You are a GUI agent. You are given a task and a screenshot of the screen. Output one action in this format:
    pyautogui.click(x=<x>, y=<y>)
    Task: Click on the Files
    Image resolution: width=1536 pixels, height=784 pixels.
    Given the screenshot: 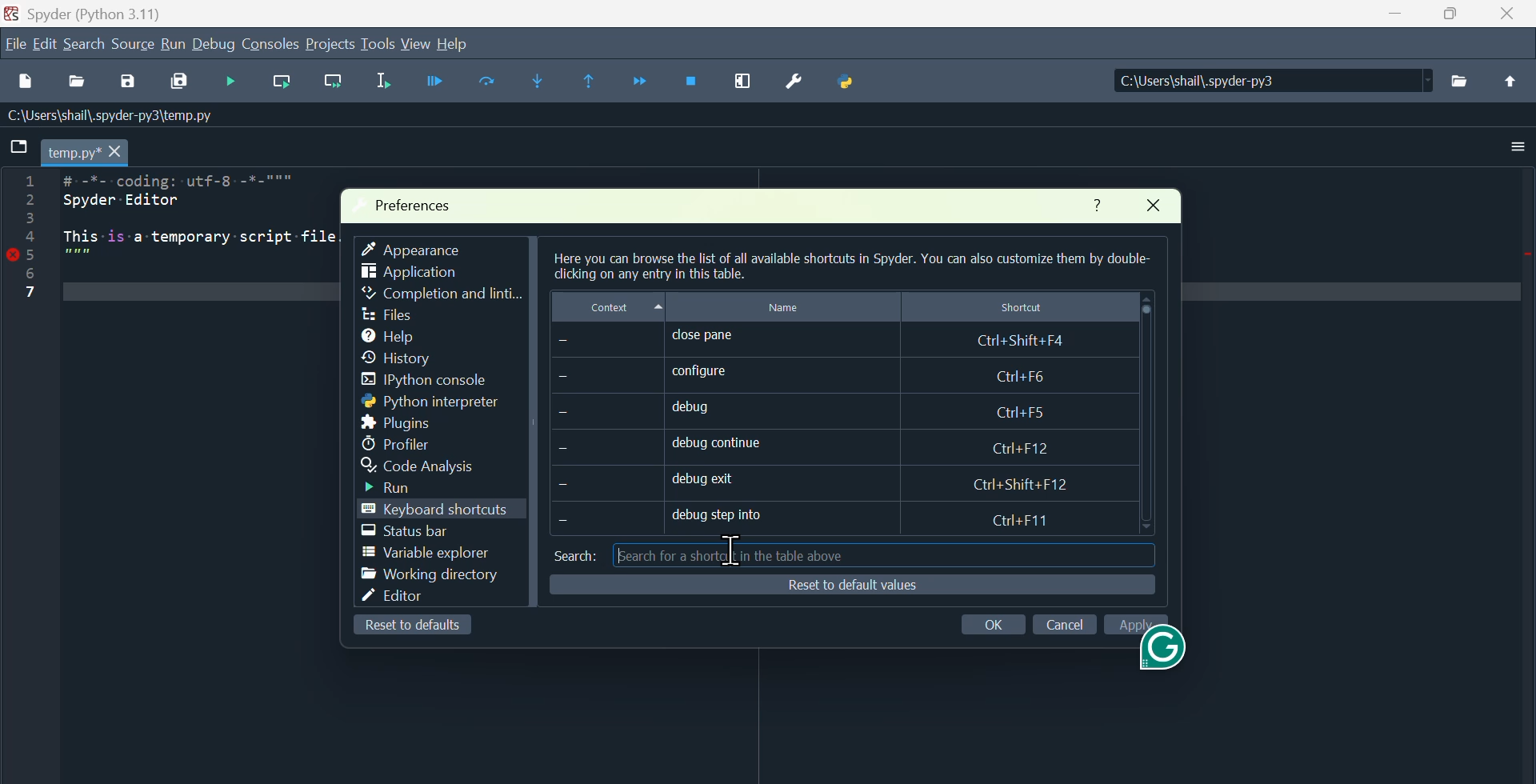 What is the action you would take?
    pyautogui.click(x=1462, y=88)
    